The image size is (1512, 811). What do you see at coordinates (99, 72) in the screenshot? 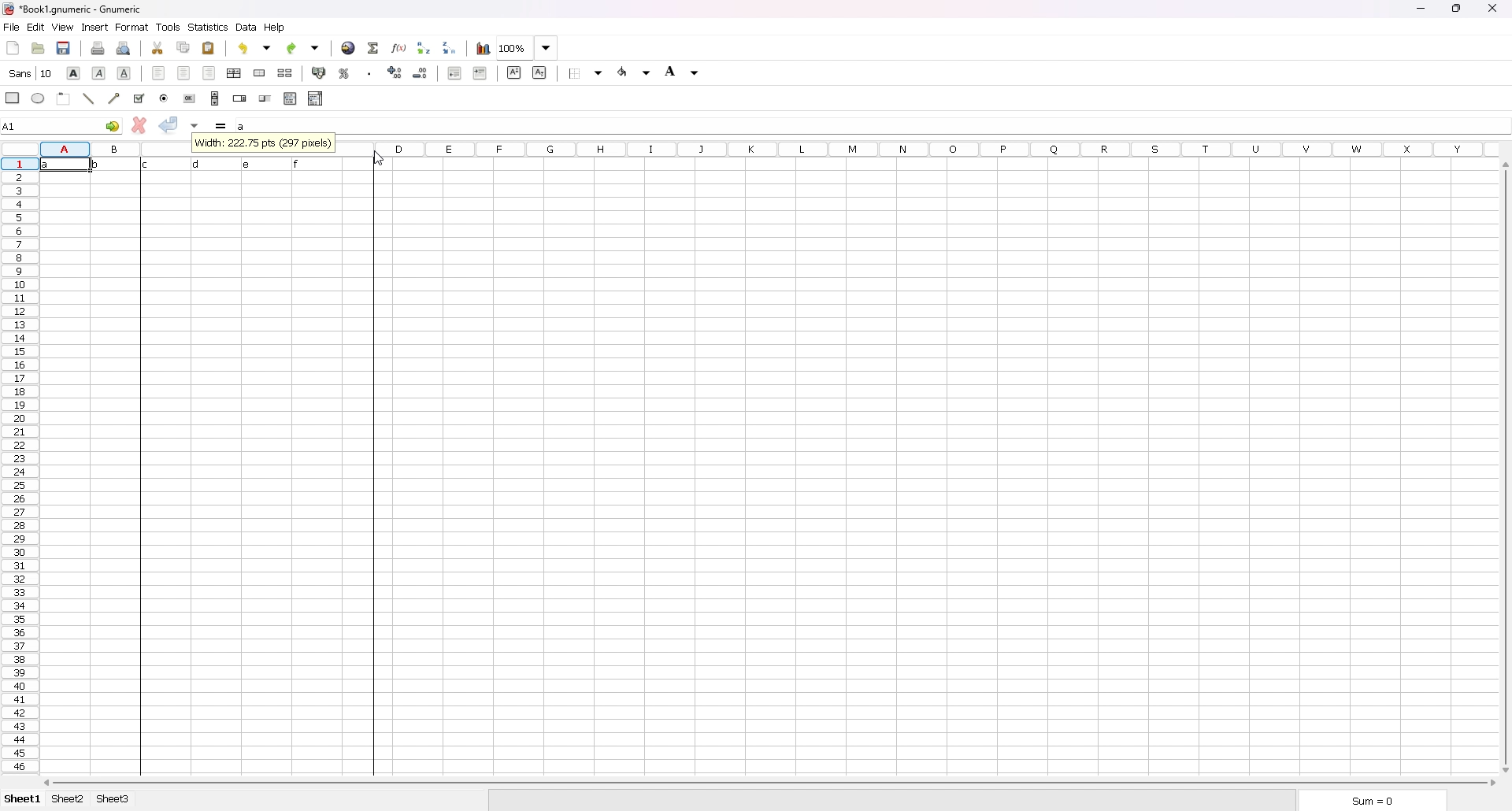
I see `italic` at bounding box center [99, 72].